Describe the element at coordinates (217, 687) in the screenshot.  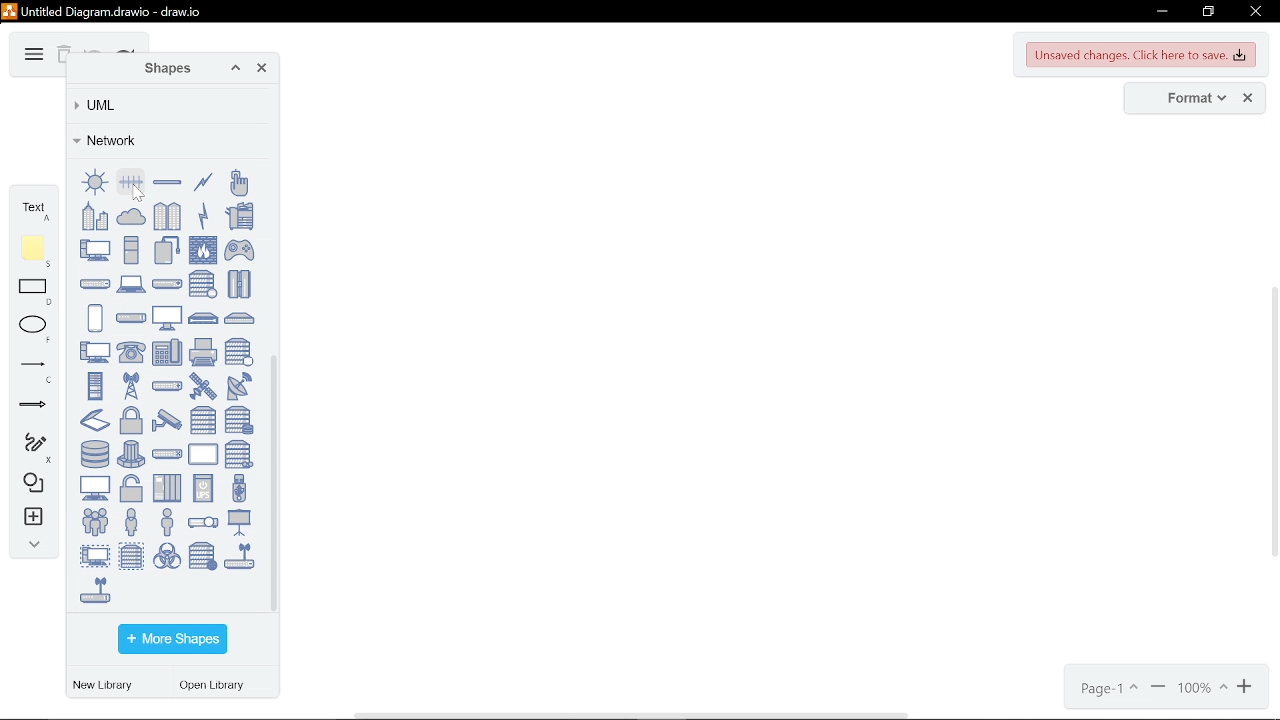
I see `open library` at that location.